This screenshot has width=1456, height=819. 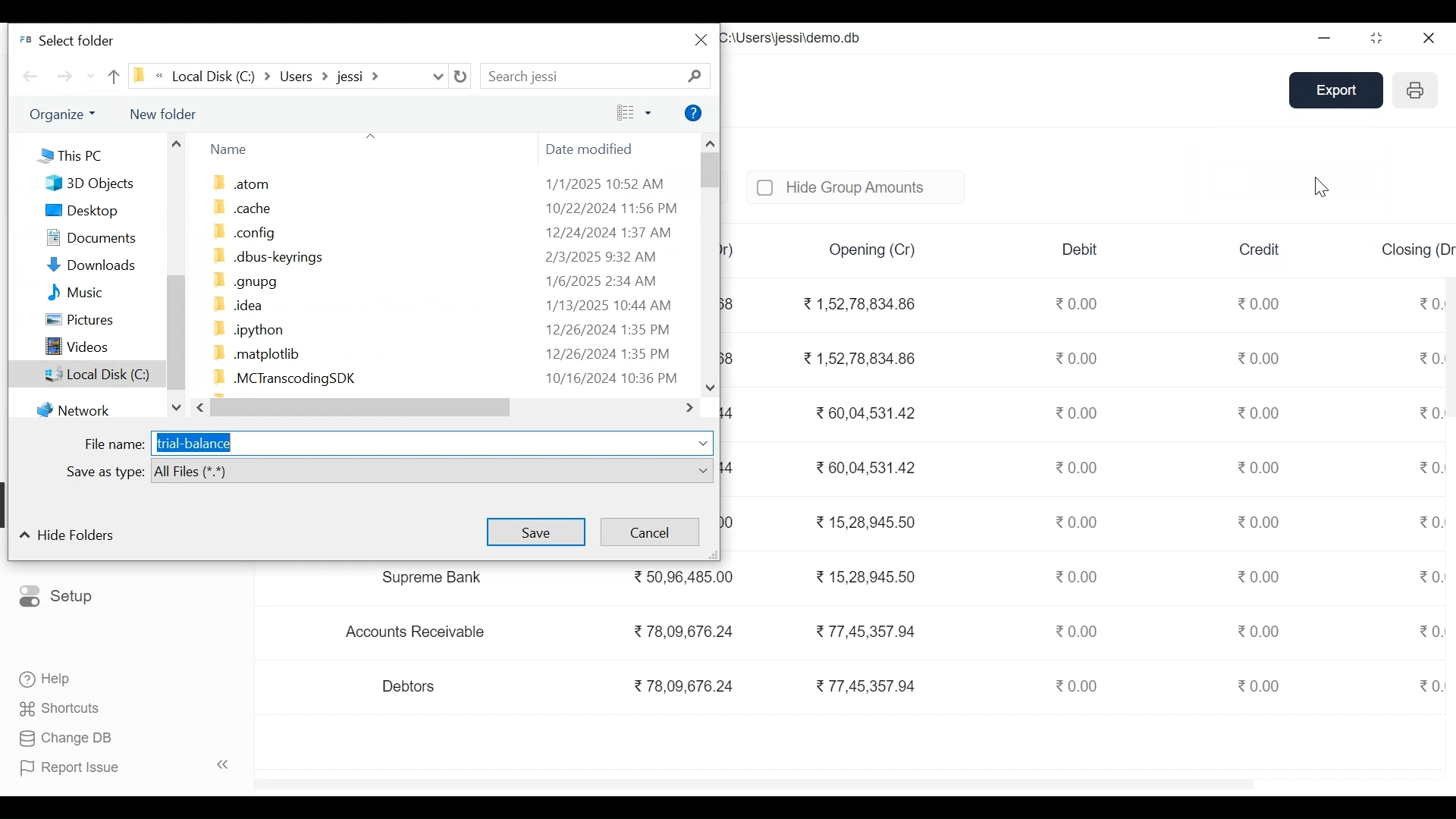 What do you see at coordinates (592, 151) in the screenshot?
I see `Date modified` at bounding box center [592, 151].